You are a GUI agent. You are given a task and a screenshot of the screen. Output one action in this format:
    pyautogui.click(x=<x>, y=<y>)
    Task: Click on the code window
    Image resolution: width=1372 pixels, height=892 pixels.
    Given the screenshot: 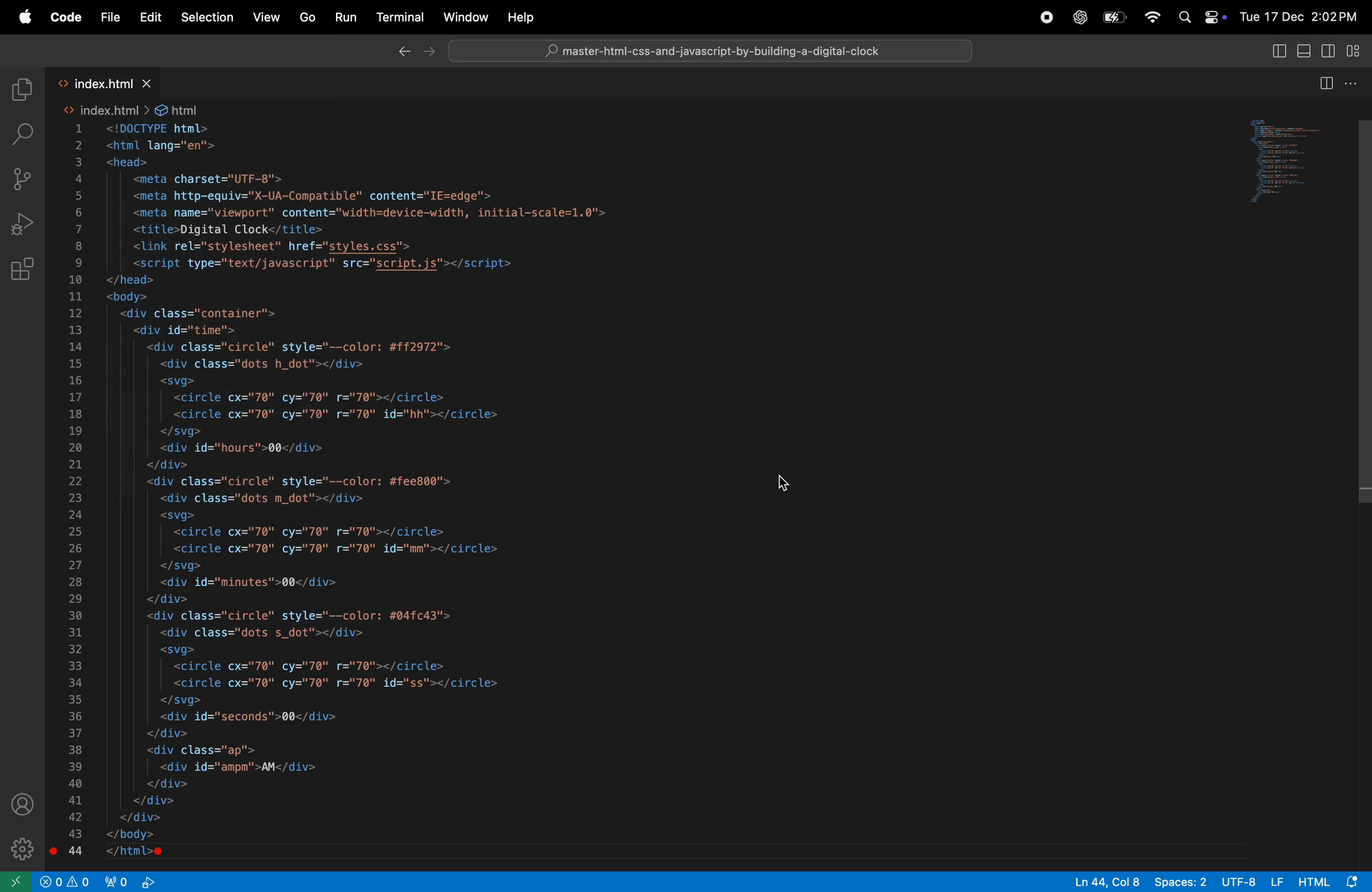 What is the action you would take?
    pyautogui.click(x=1281, y=164)
    